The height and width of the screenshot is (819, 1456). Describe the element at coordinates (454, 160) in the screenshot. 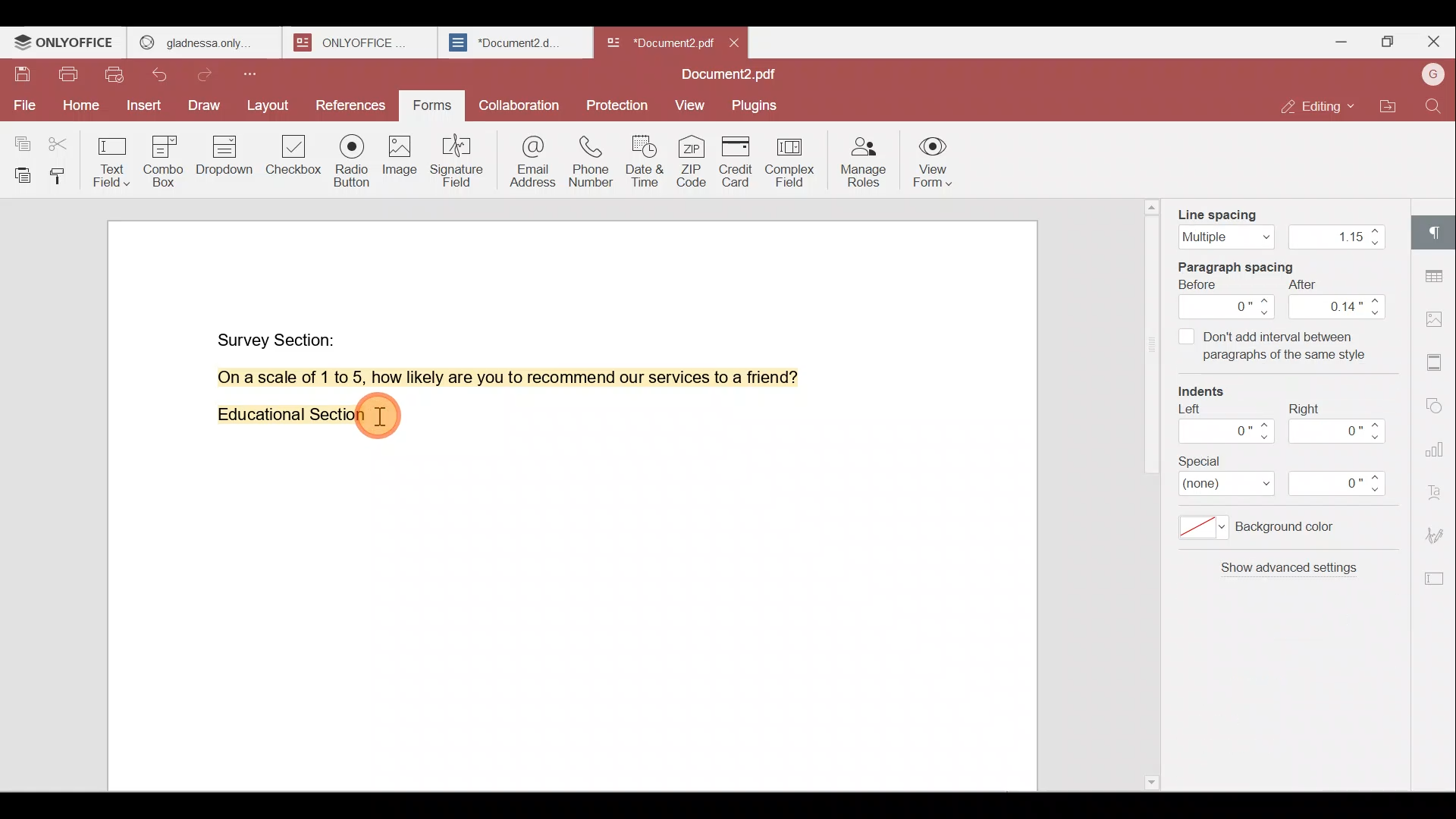

I see `Signature field` at that location.